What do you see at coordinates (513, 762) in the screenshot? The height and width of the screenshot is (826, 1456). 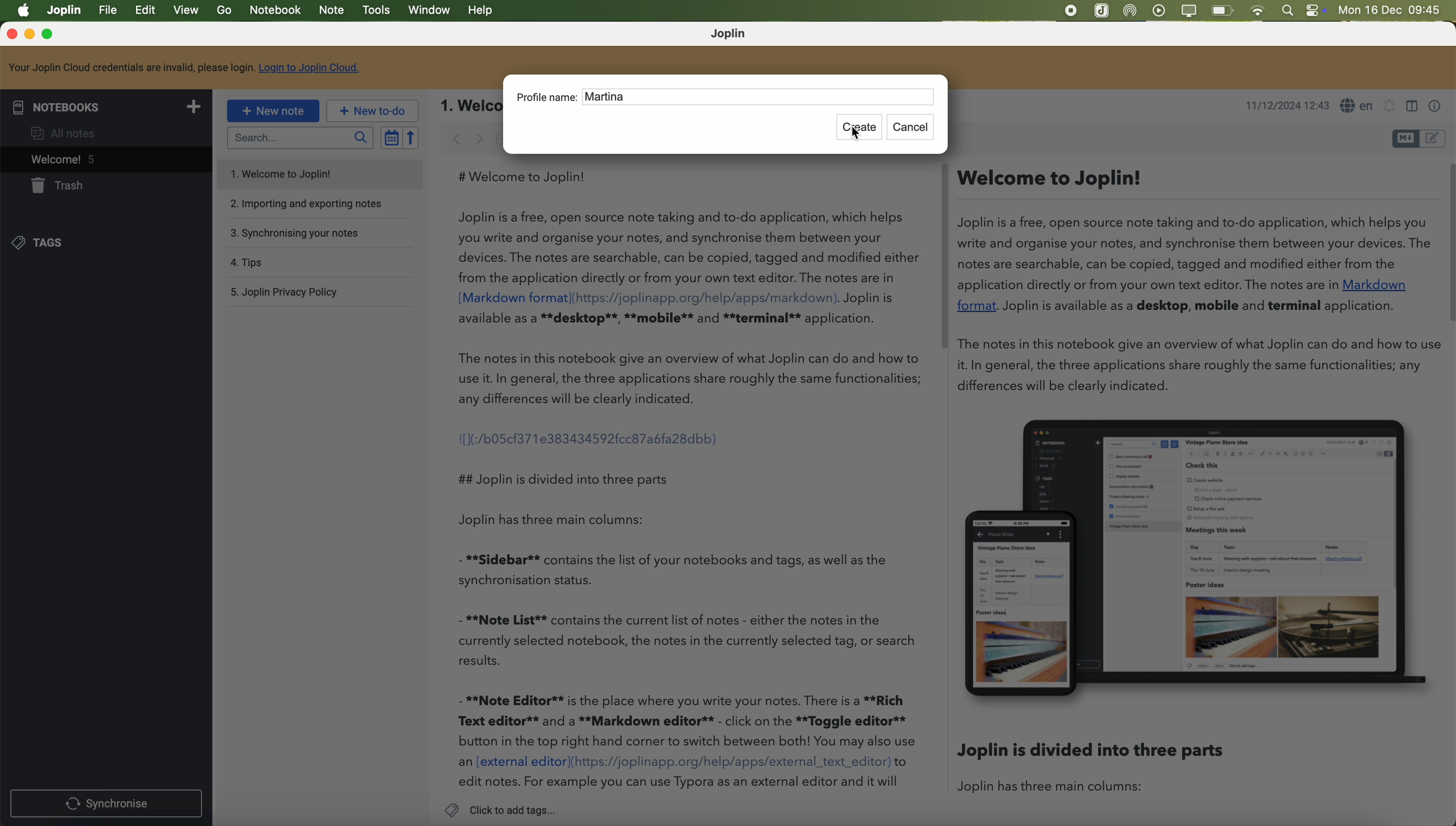 I see `an [external editor]` at bounding box center [513, 762].